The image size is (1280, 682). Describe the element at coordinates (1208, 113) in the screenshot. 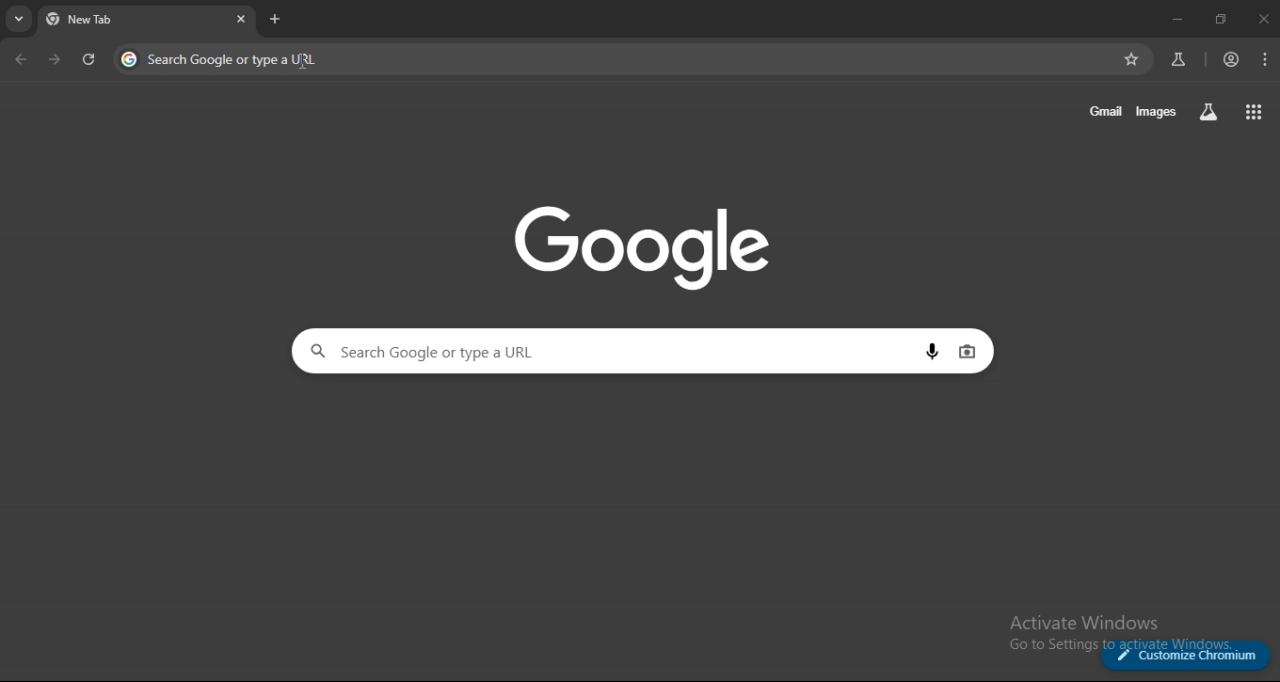

I see `search labs` at that location.